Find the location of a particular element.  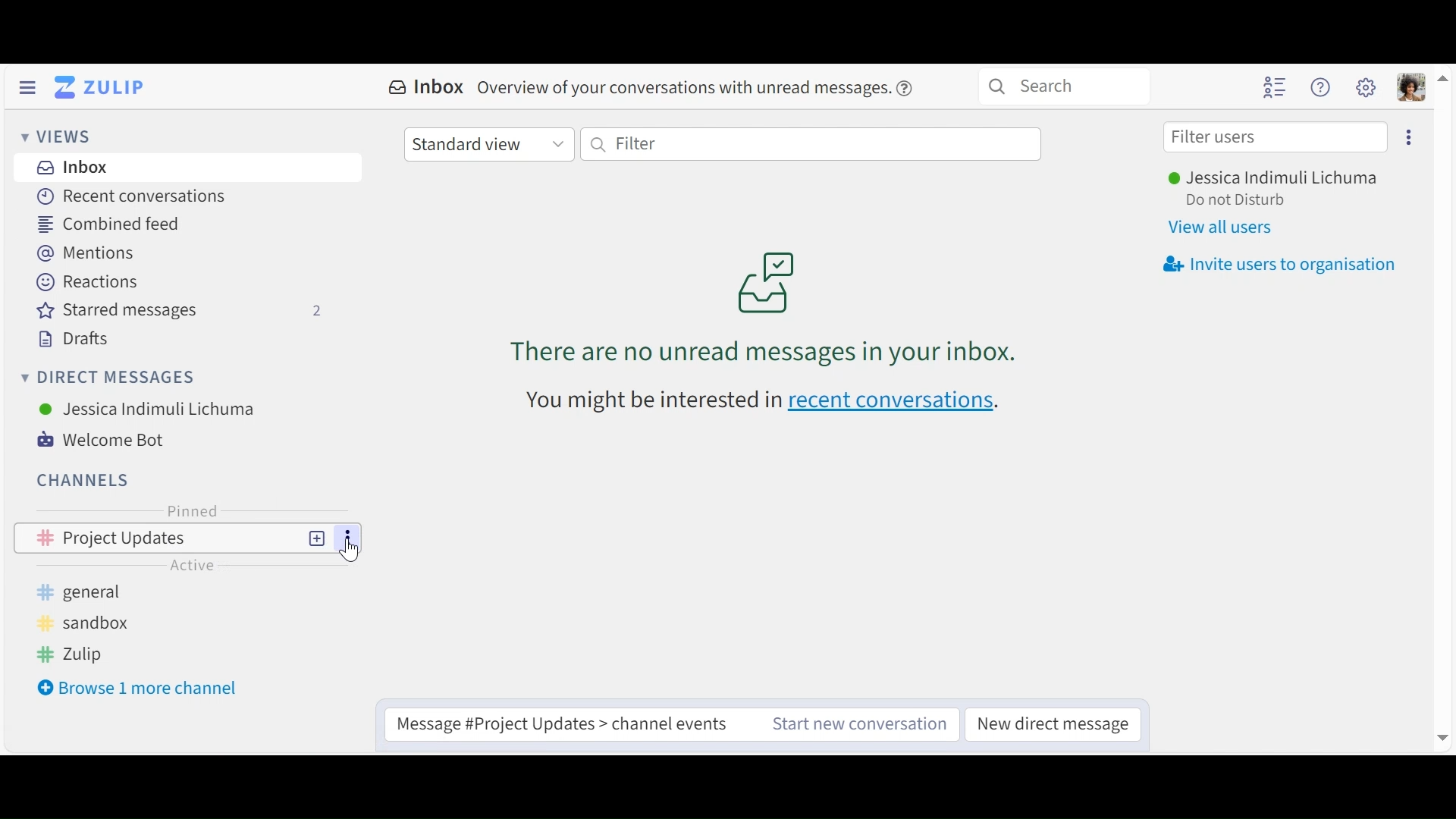

Drafts is located at coordinates (71, 339).